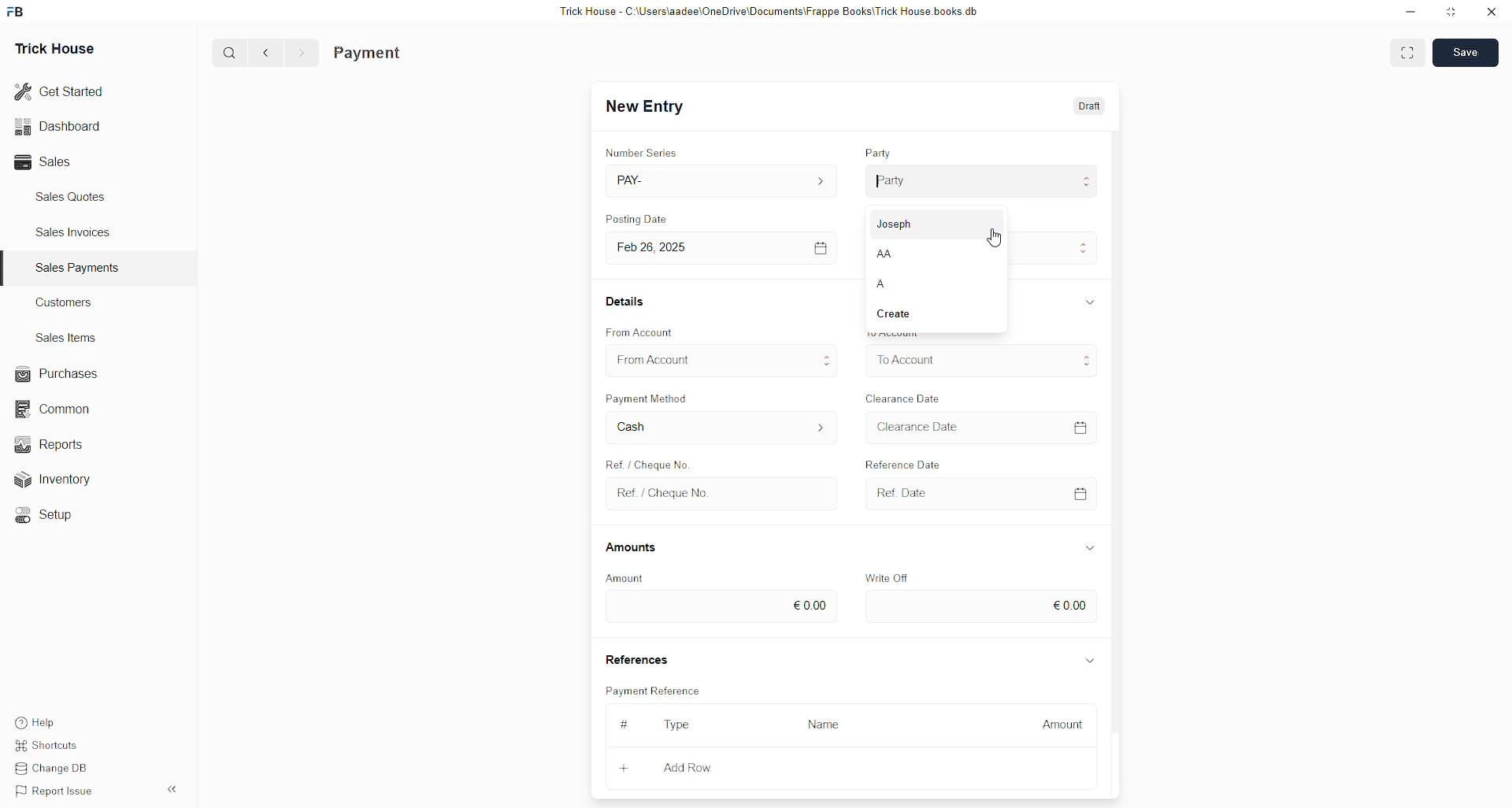 The height and width of the screenshot is (808, 1512). Describe the element at coordinates (54, 50) in the screenshot. I see `Trick House` at that location.